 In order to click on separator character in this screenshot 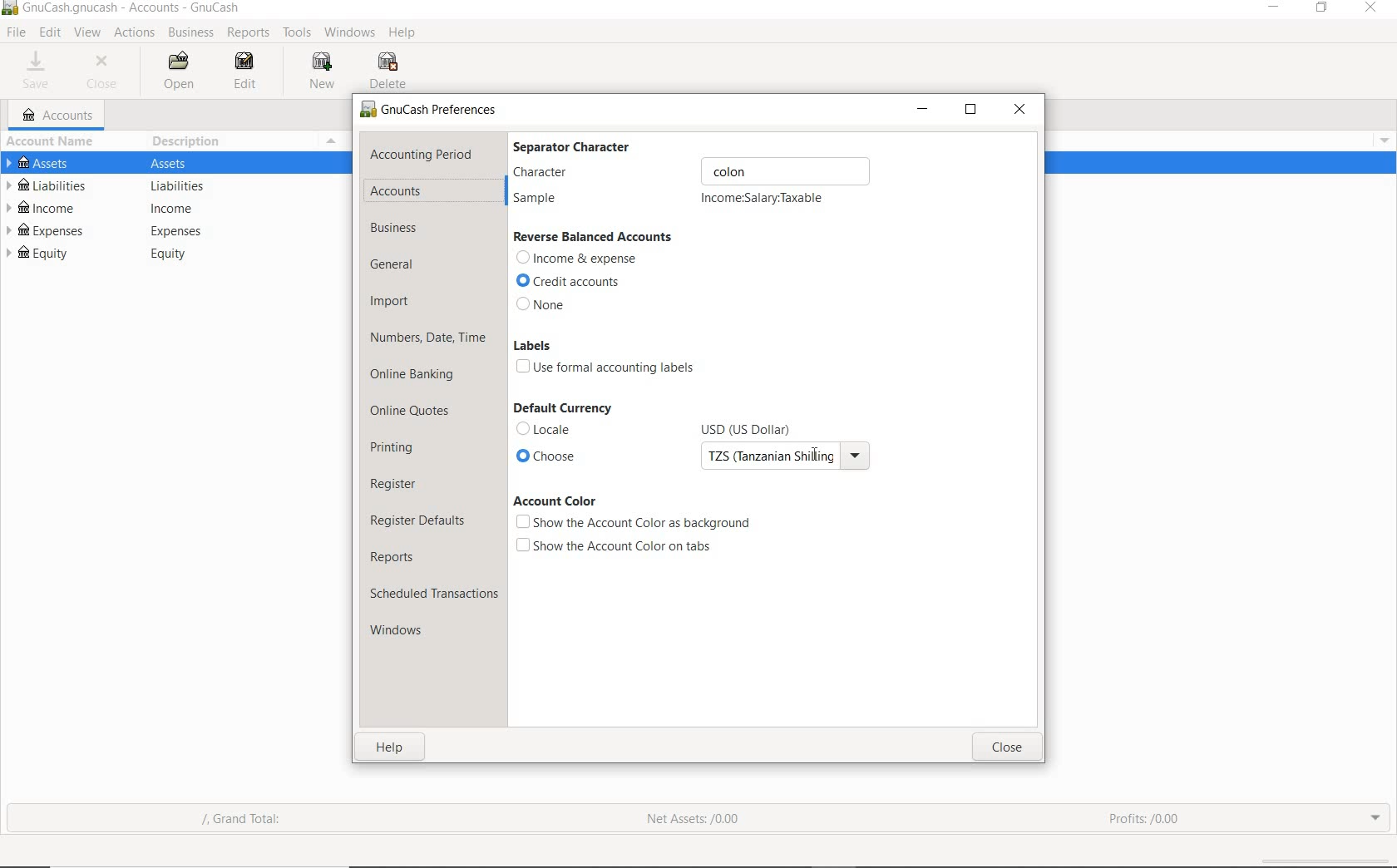, I will do `click(583, 145)`.